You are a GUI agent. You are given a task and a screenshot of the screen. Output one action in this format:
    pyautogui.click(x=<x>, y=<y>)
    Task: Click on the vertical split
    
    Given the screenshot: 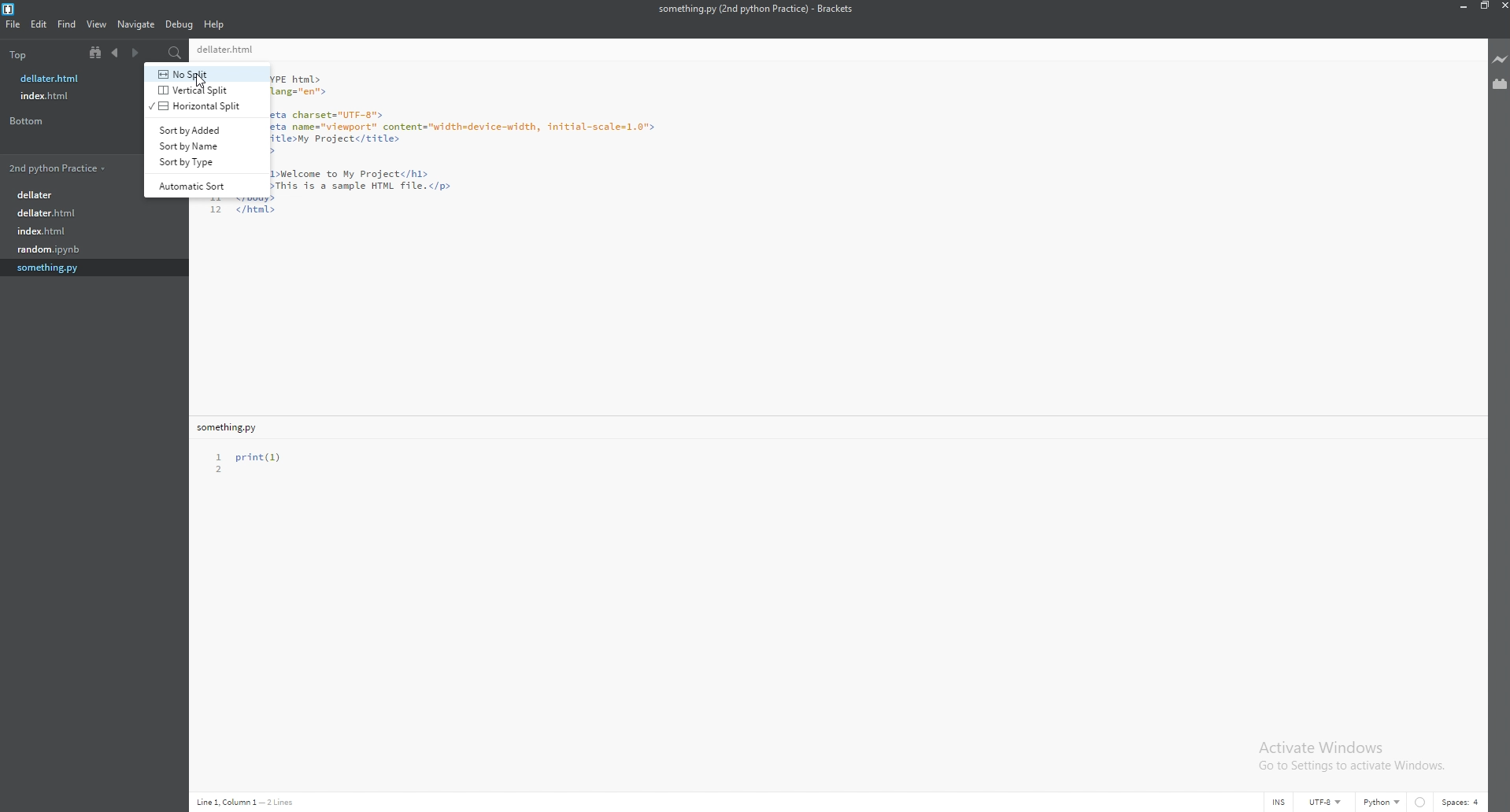 What is the action you would take?
    pyautogui.click(x=209, y=89)
    